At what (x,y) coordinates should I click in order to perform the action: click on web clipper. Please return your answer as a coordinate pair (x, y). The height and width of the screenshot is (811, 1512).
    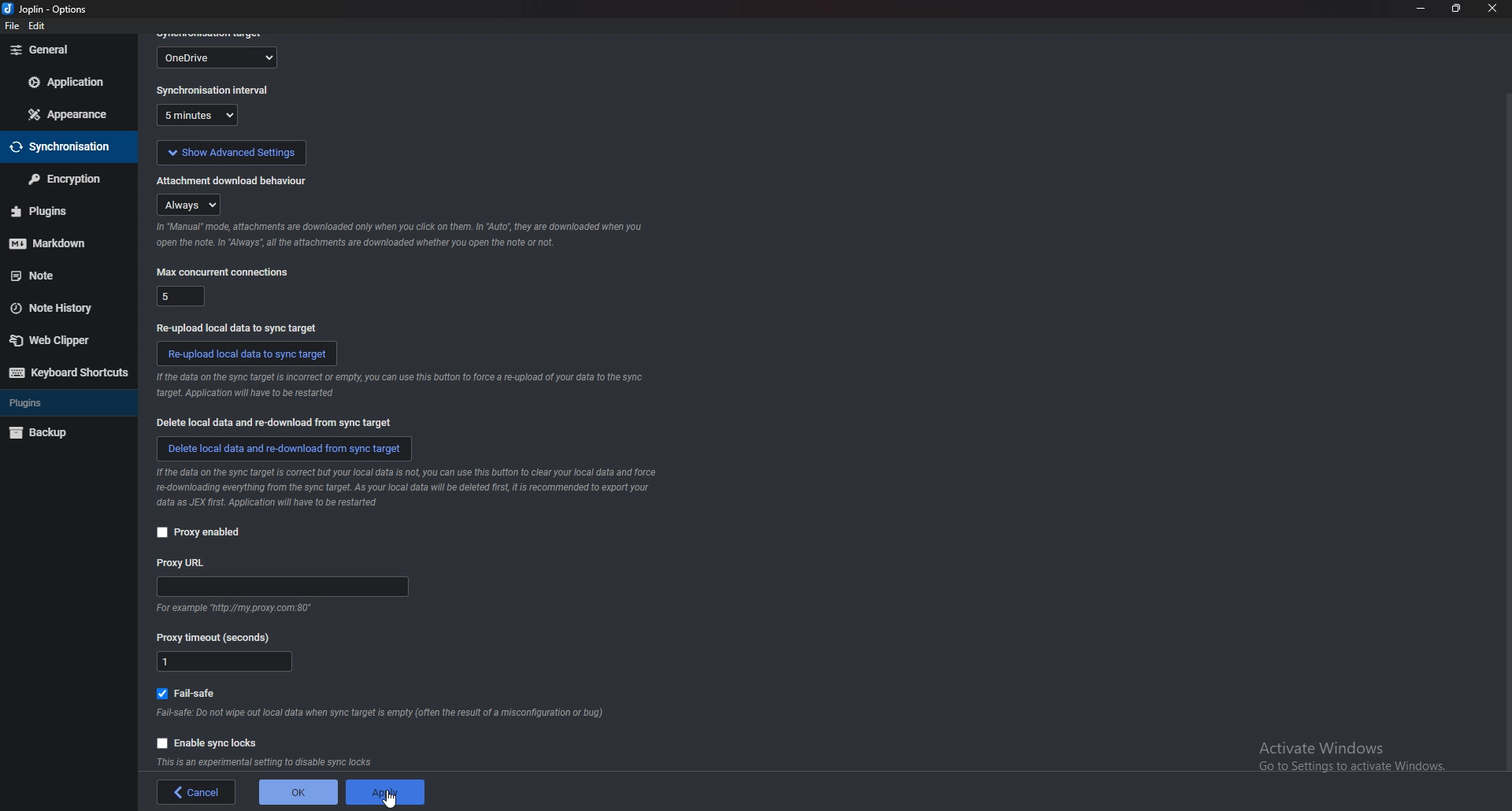
    Looking at the image, I should click on (62, 342).